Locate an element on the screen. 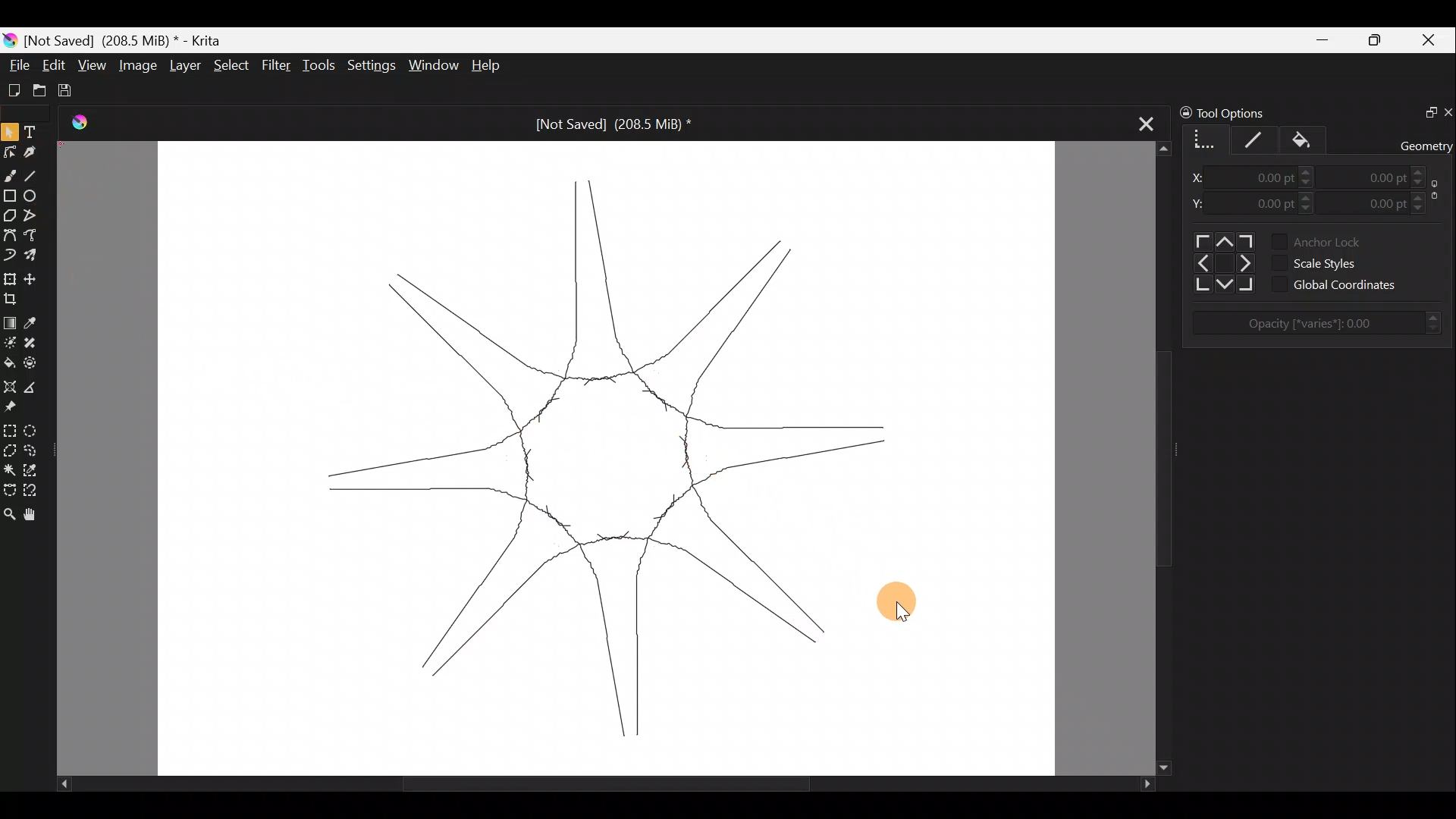 This screenshot has width=1456, height=819. Tool options is located at coordinates (1248, 113).